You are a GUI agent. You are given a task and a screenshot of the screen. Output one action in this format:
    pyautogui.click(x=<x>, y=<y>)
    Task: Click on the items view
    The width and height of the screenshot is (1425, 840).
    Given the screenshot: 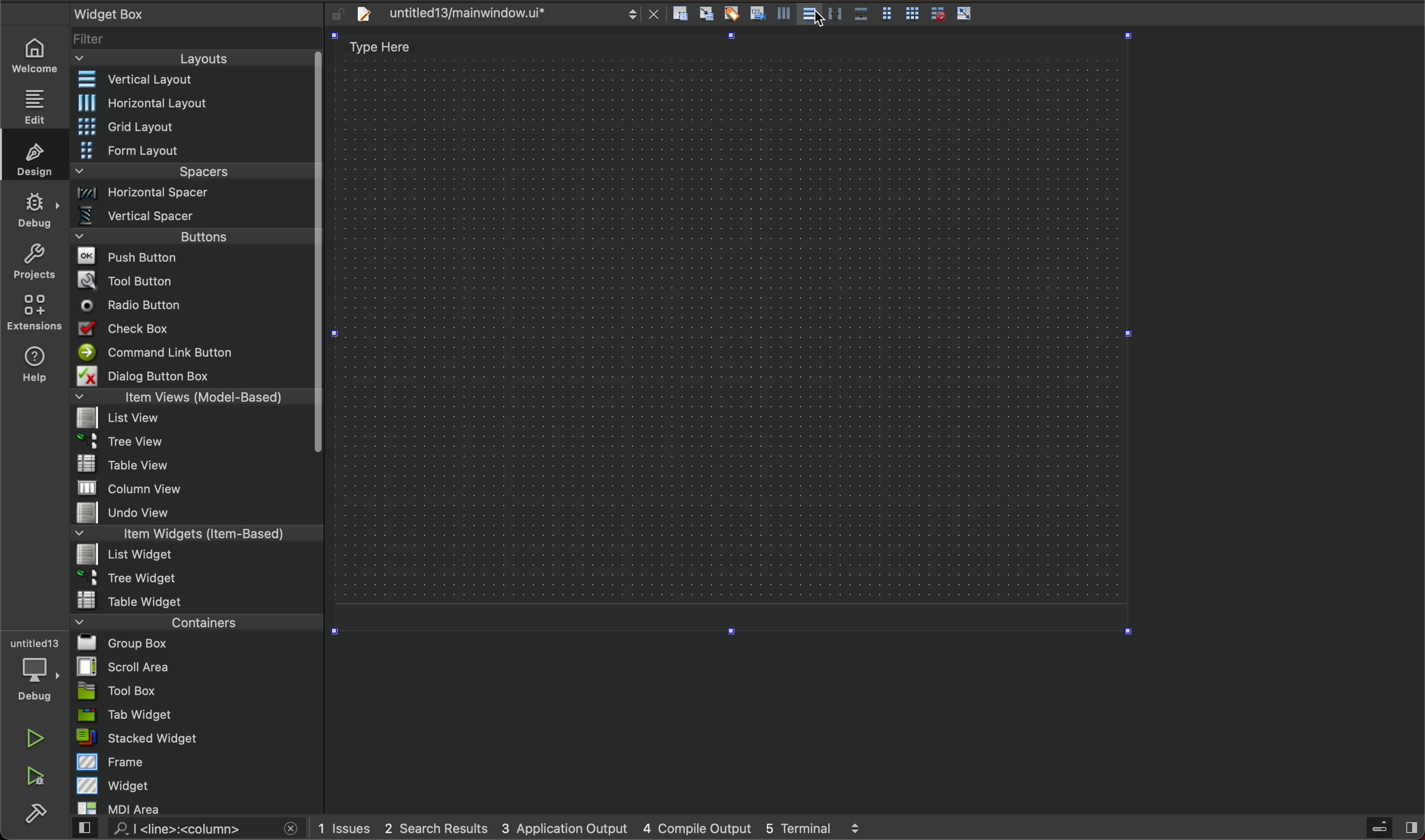 What is the action you would take?
    pyautogui.click(x=193, y=397)
    